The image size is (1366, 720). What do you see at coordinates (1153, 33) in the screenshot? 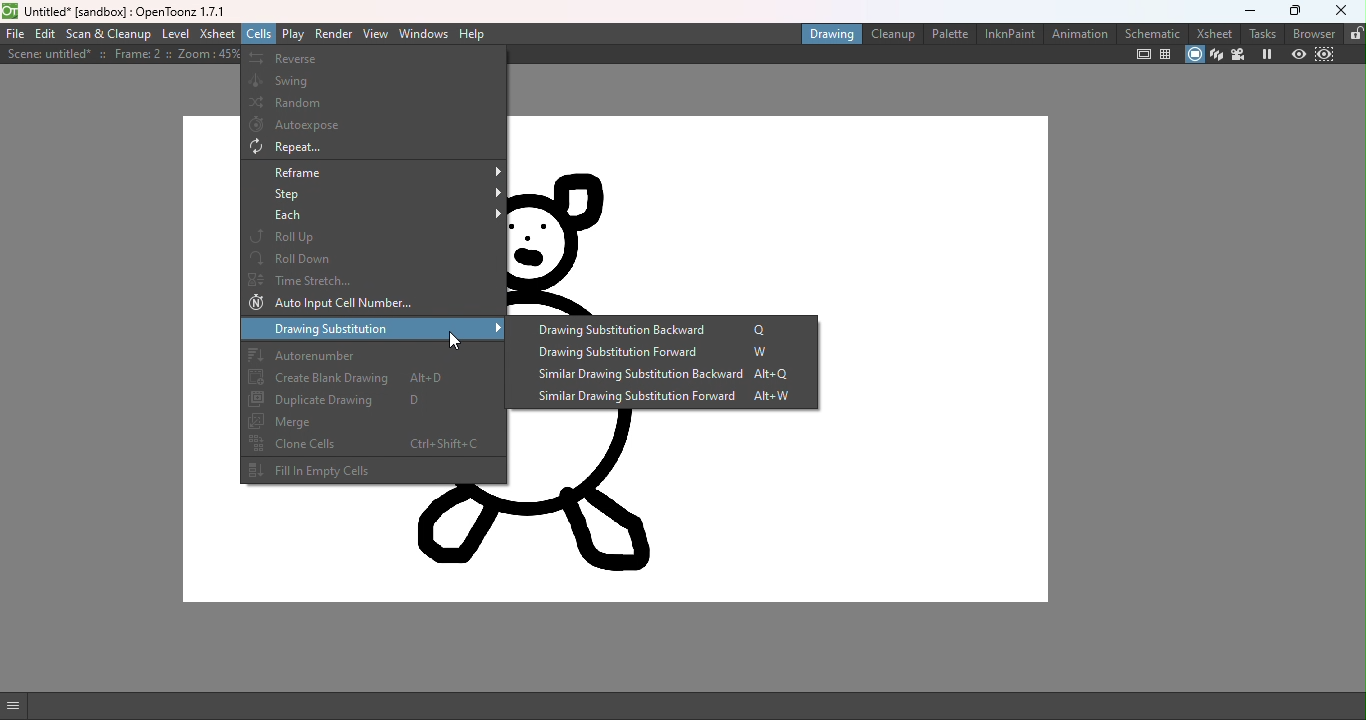
I see `Schematic` at bounding box center [1153, 33].